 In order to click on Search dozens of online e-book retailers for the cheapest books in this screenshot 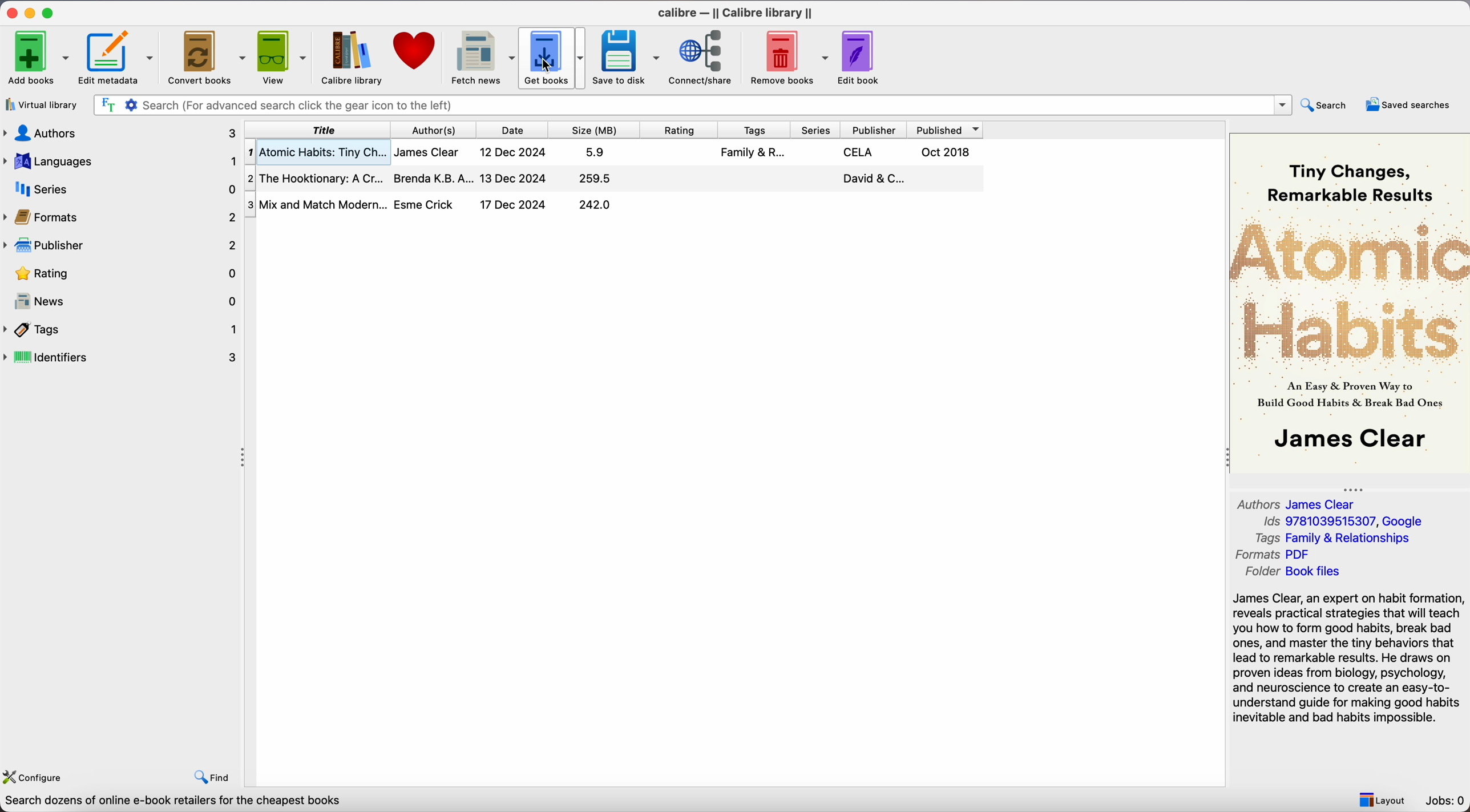, I will do `click(172, 803)`.